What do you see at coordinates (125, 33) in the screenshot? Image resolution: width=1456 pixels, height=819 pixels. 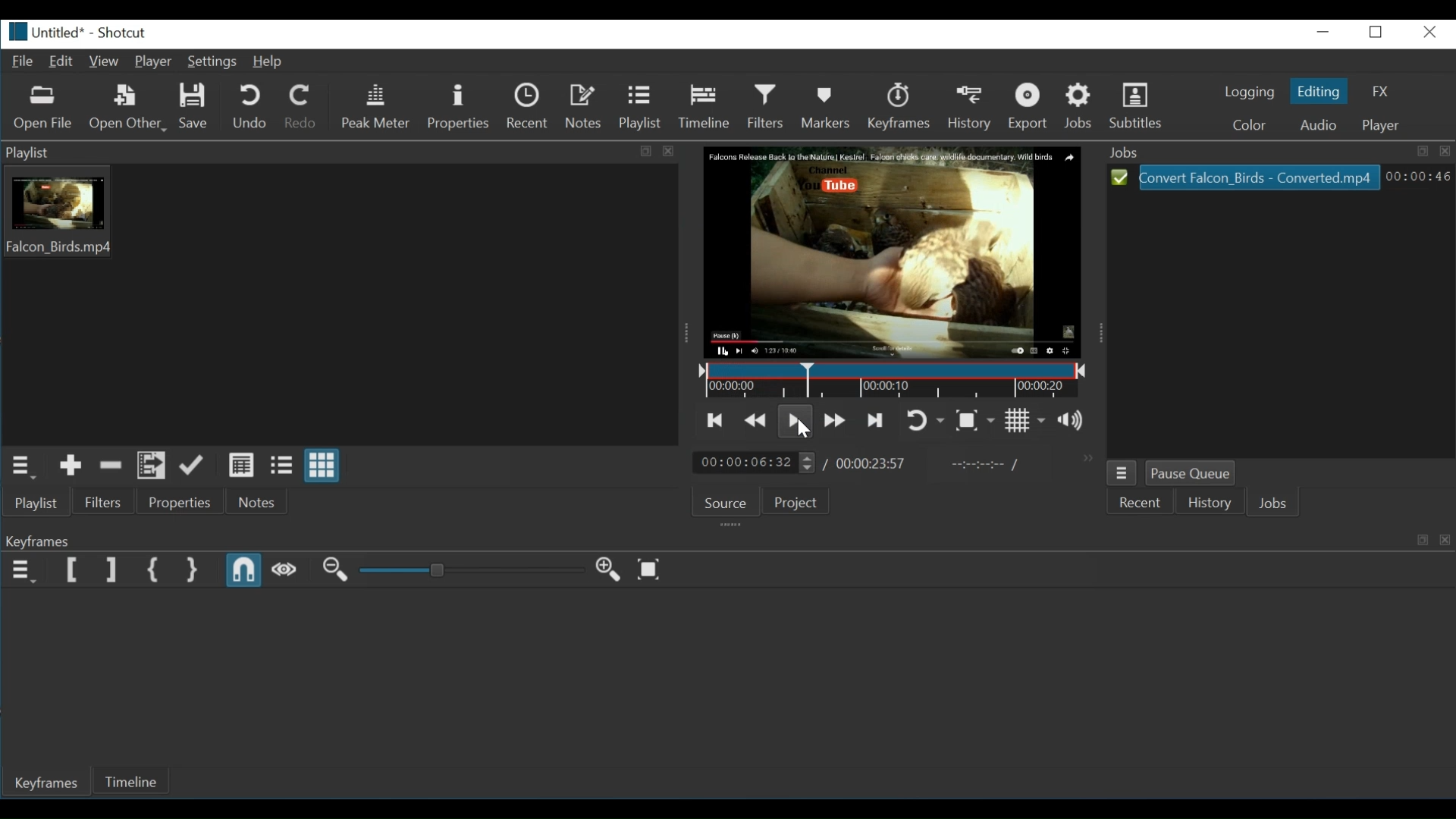 I see `Shotcut` at bounding box center [125, 33].